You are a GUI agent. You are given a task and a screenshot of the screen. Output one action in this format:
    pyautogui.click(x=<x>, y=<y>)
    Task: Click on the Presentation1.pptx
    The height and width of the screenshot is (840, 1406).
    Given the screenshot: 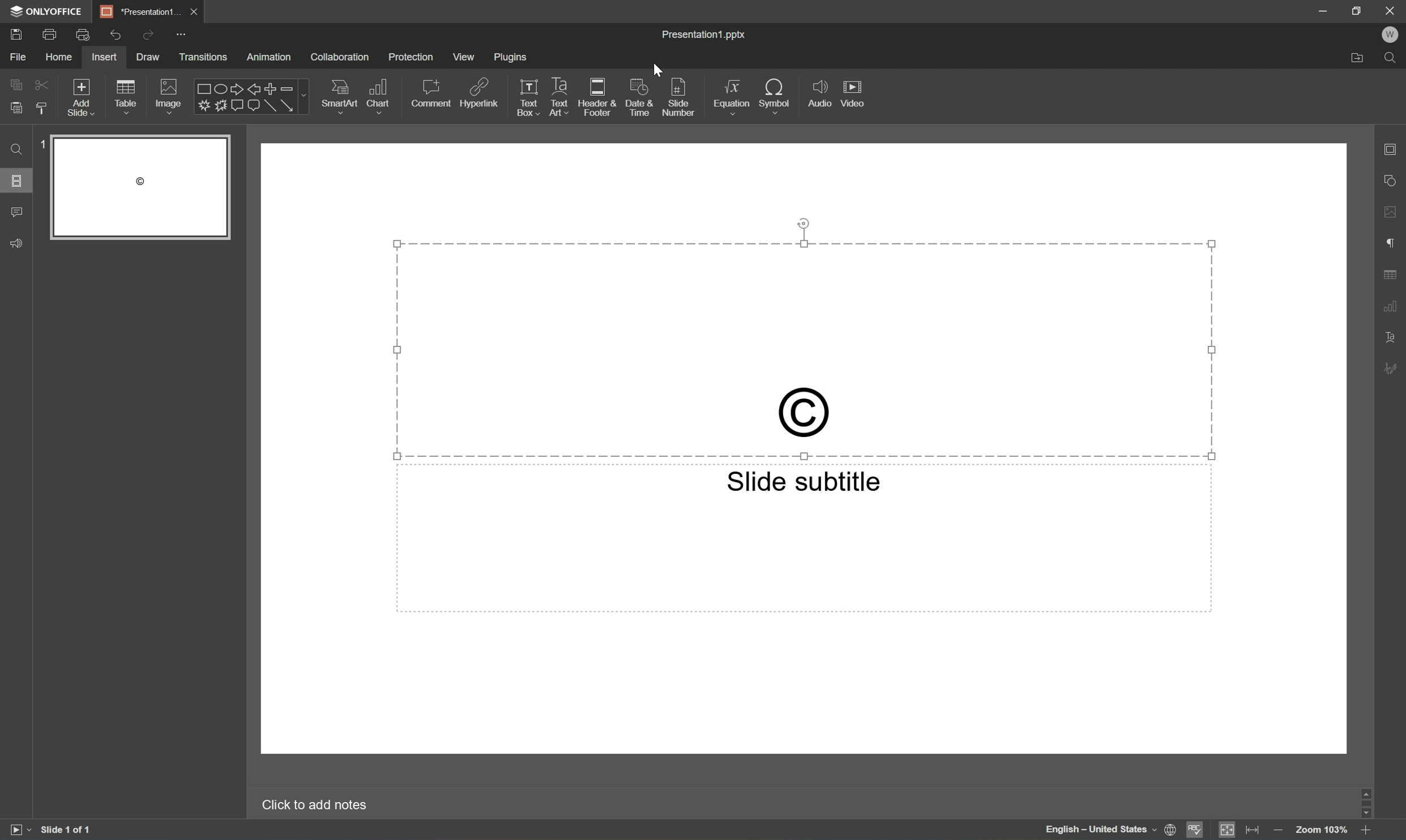 What is the action you would take?
    pyautogui.click(x=706, y=36)
    